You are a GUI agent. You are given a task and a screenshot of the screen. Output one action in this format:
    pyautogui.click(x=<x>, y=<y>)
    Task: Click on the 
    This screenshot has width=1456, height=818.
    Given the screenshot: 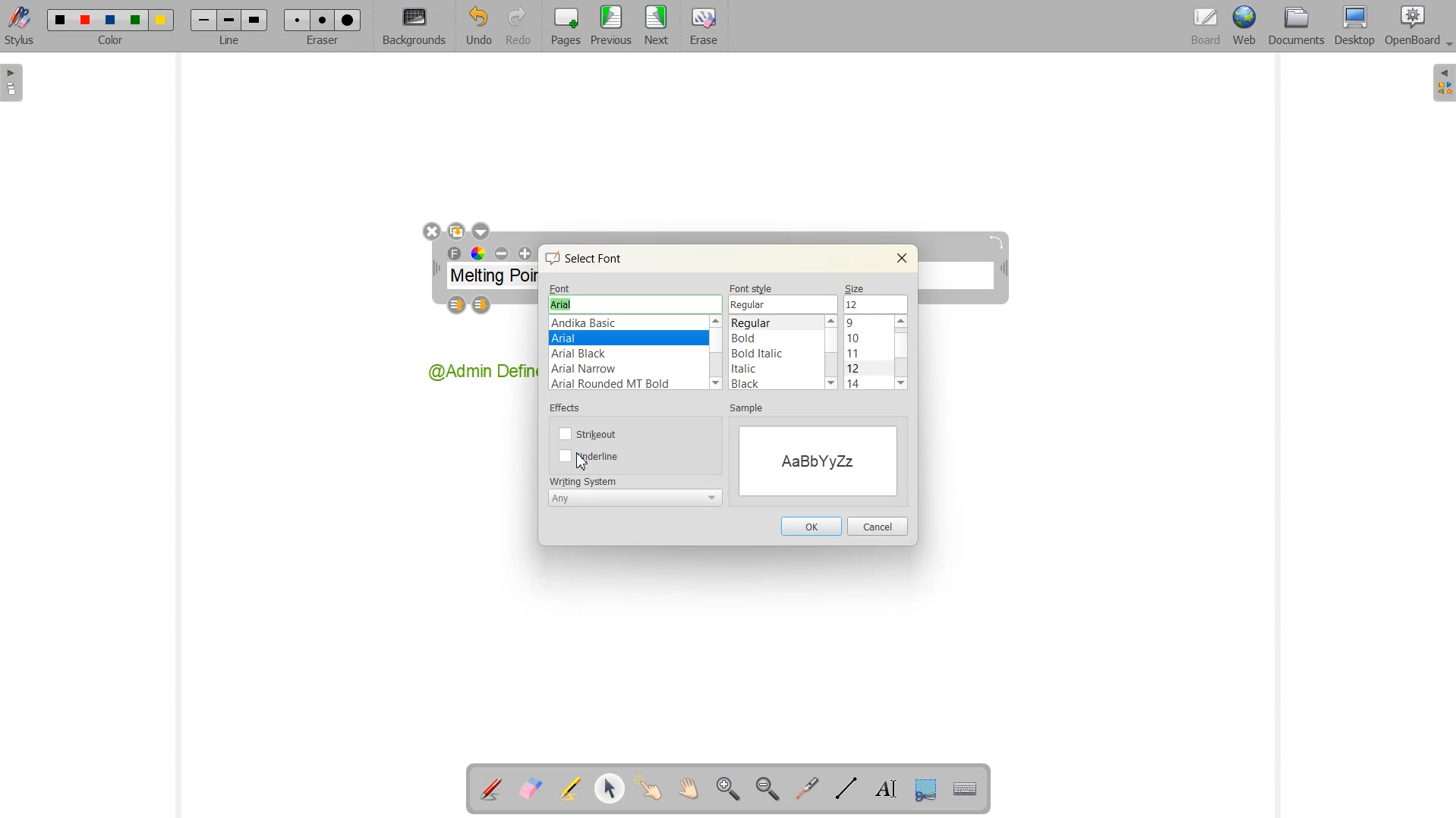 What is the action you would take?
    pyautogui.click(x=611, y=27)
    